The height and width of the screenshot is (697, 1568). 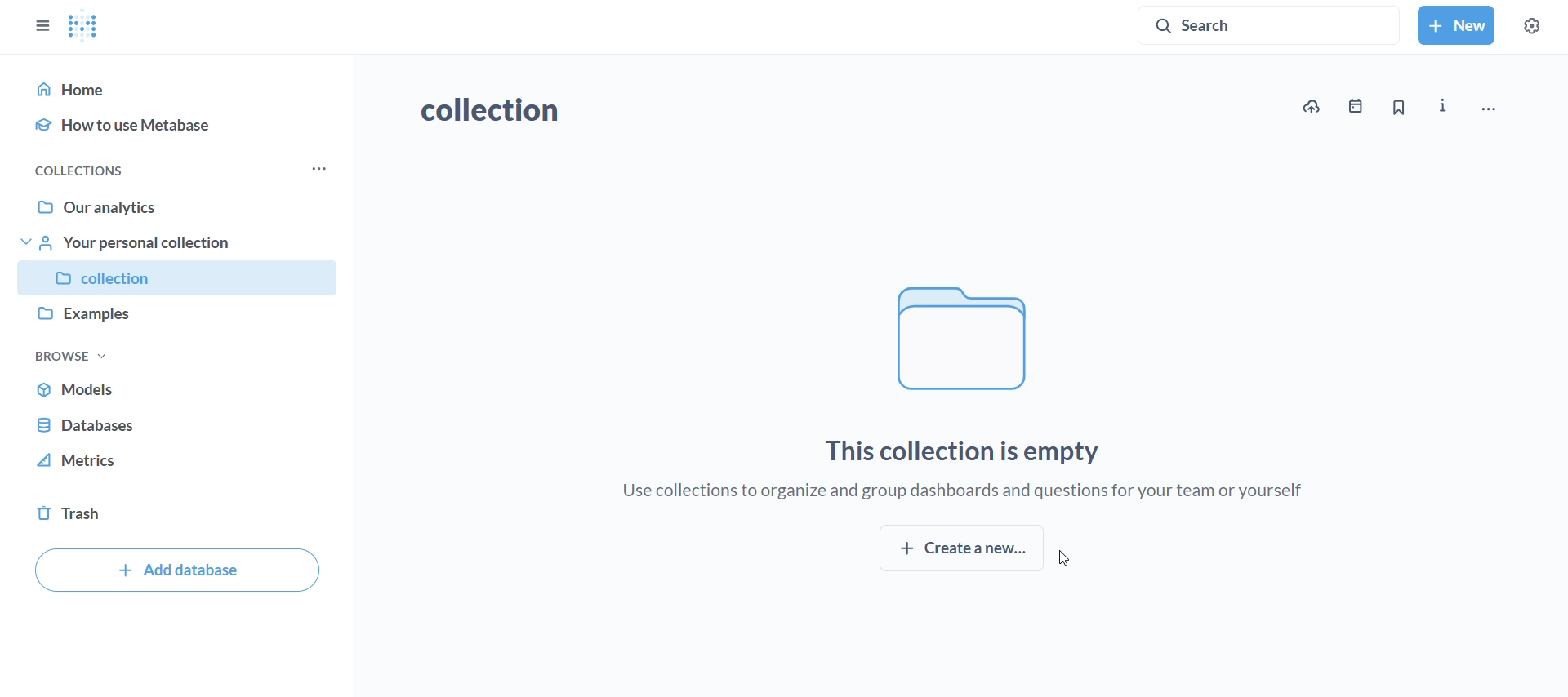 What do you see at coordinates (84, 25) in the screenshot?
I see `metabase logo` at bounding box center [84, 25].